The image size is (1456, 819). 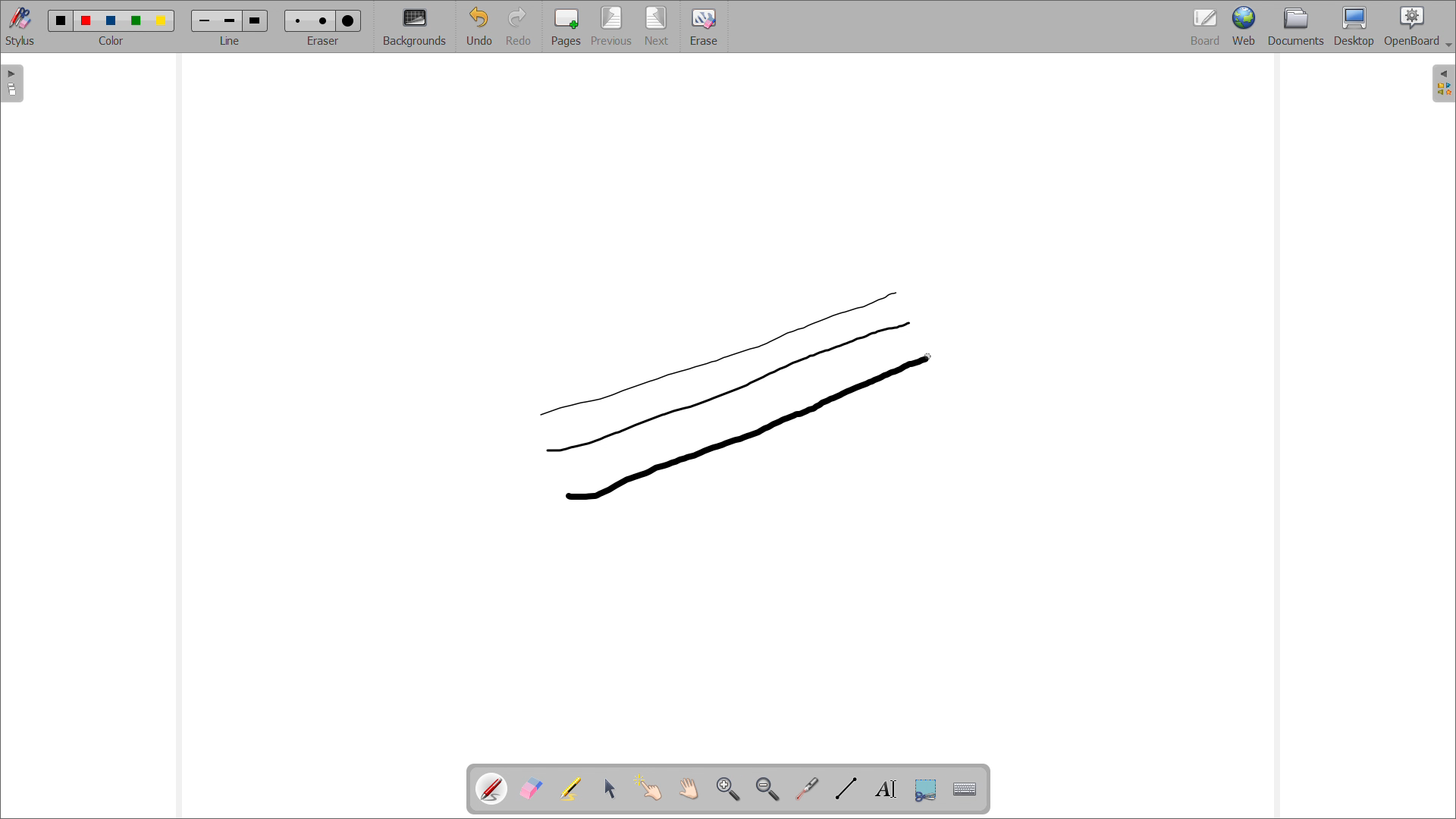 What do you see at coordinates (61, 20) in the screenshot?
I see `color` at bounding box center [61, 20].